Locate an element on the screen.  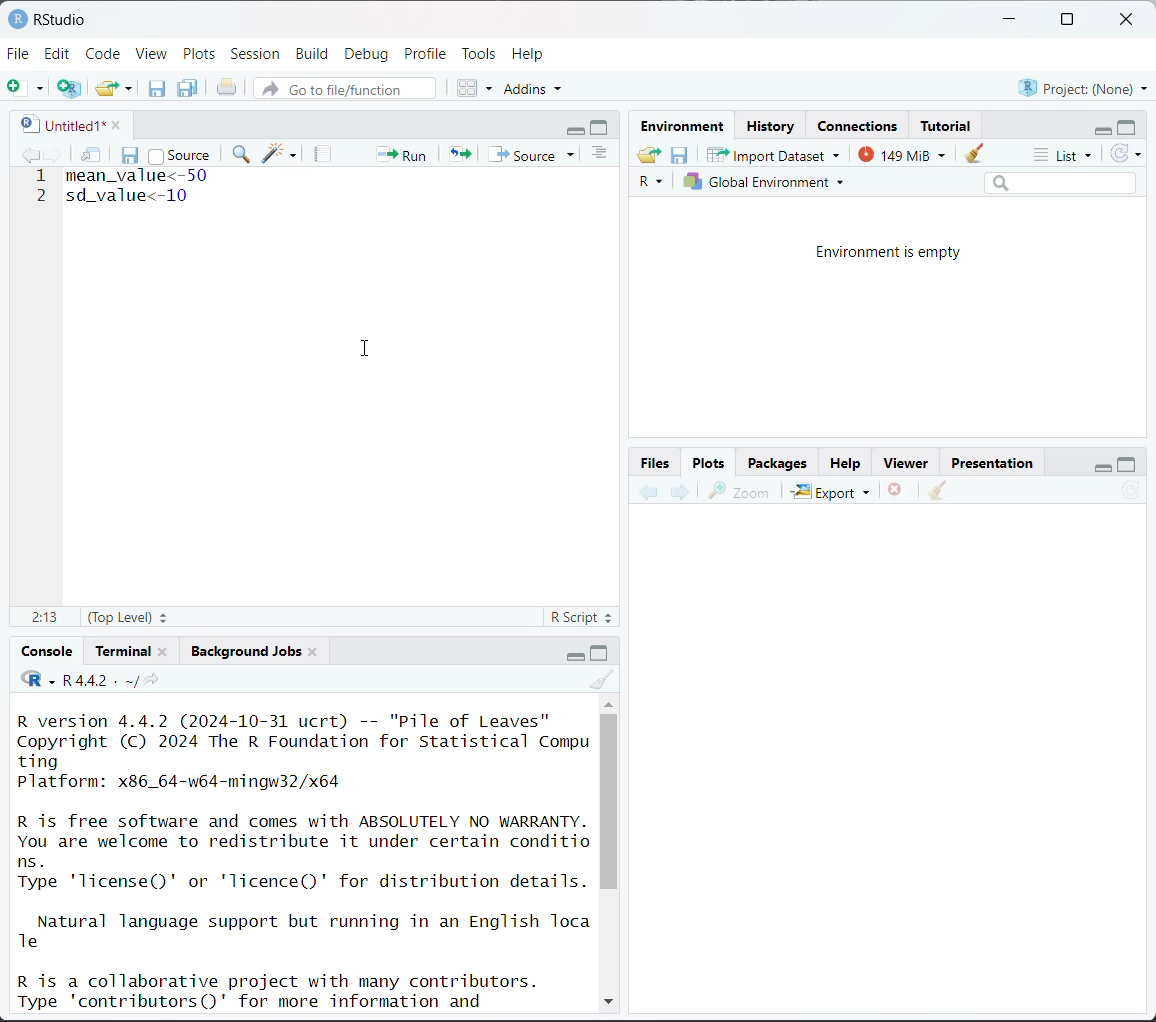
close is located at coordinates (313, 650).